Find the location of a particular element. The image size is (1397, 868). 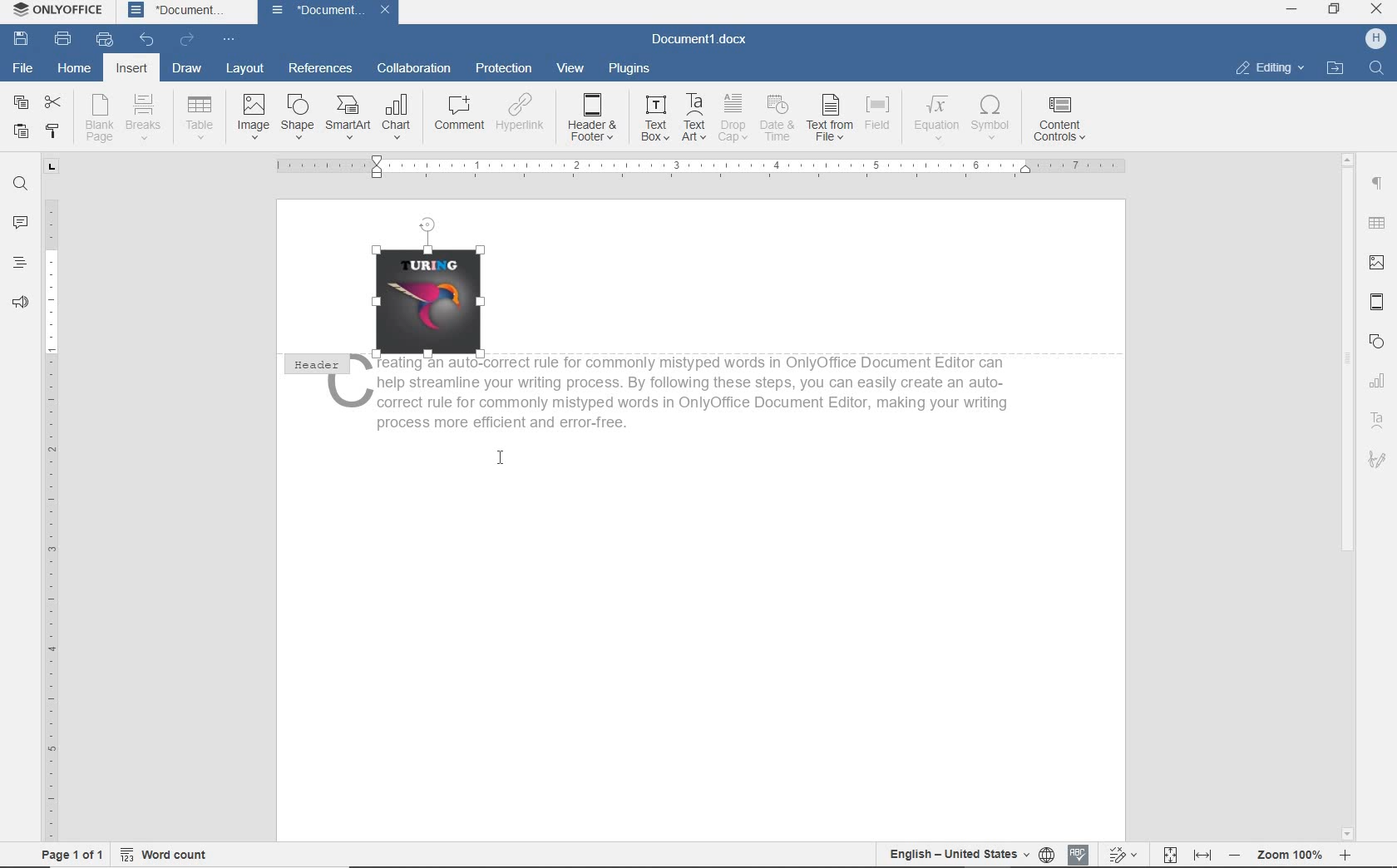

 is located at coordinates (935, 115).